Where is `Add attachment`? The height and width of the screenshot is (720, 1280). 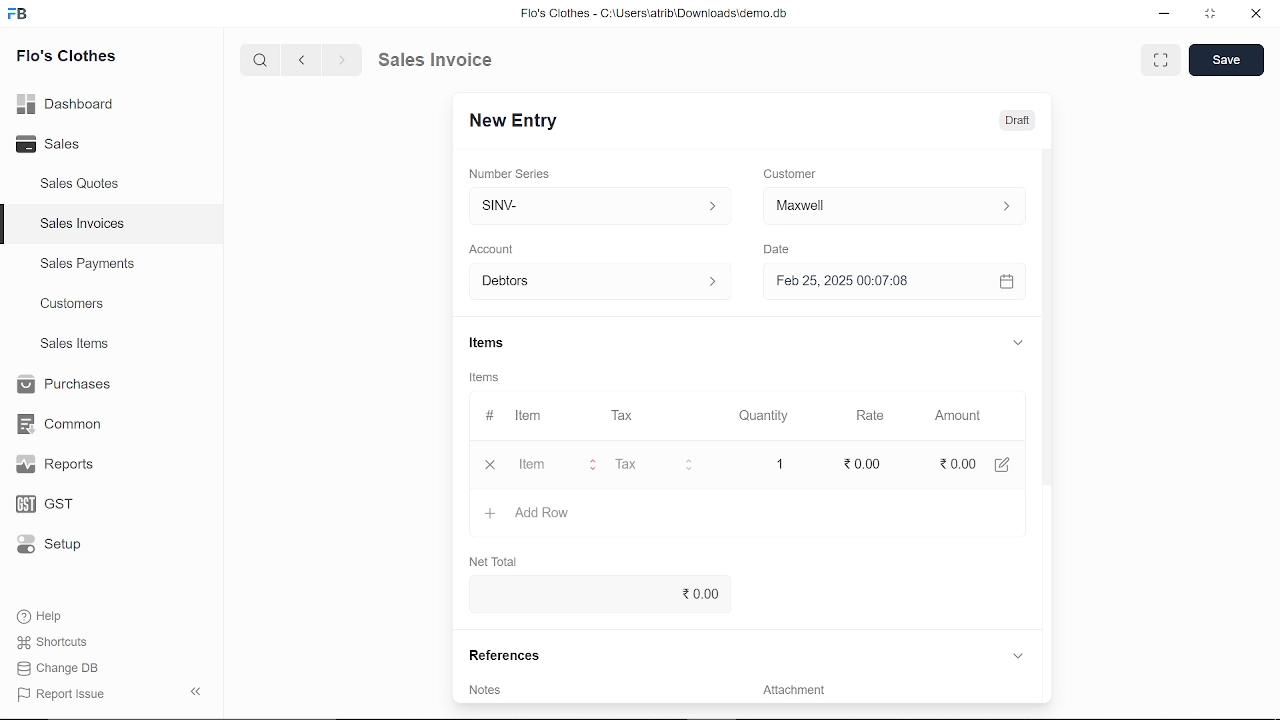 Add attachment is located at coordinates (886, 693).